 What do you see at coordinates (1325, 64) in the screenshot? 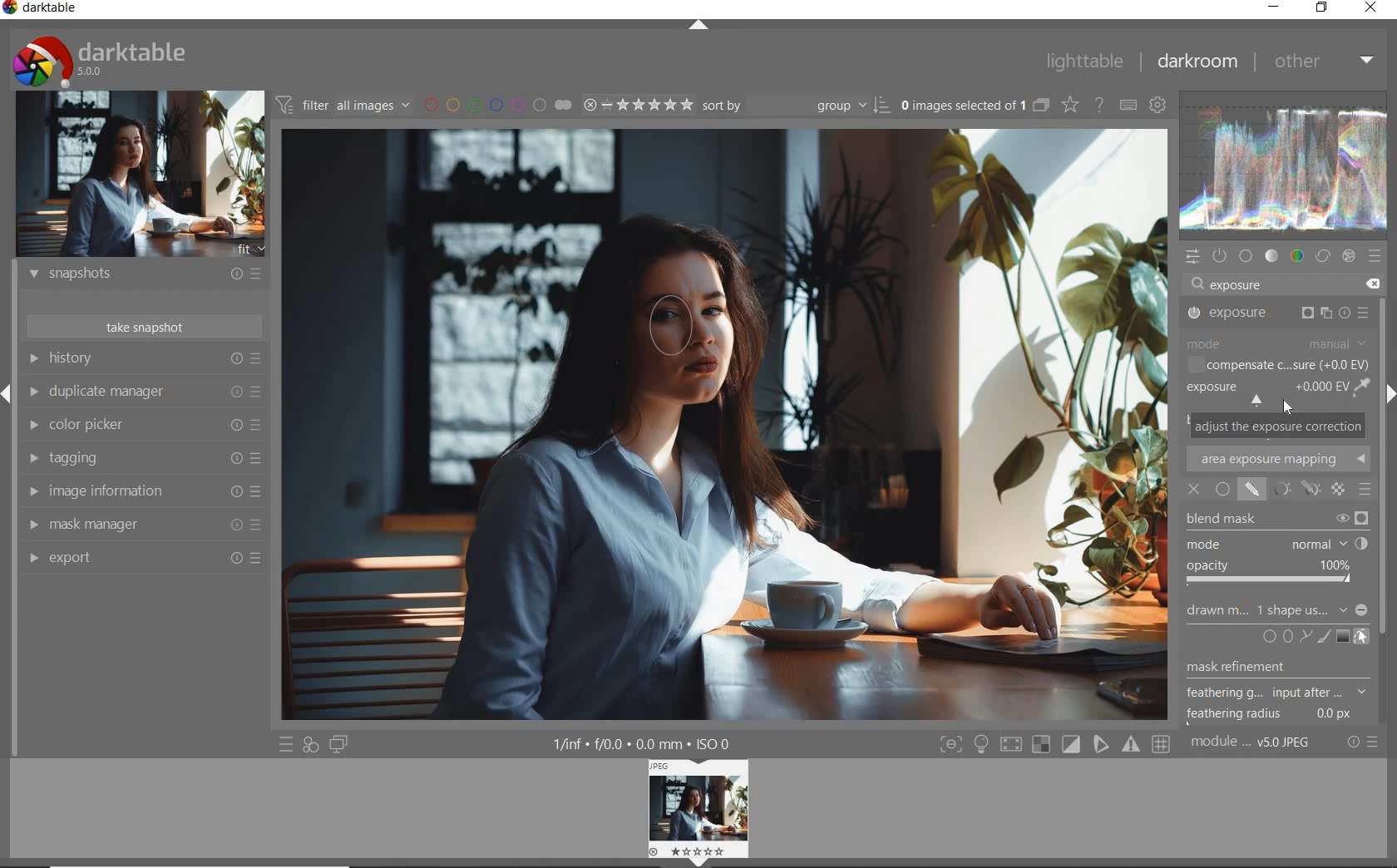
I see `other` at bounding box center [1325, 64].